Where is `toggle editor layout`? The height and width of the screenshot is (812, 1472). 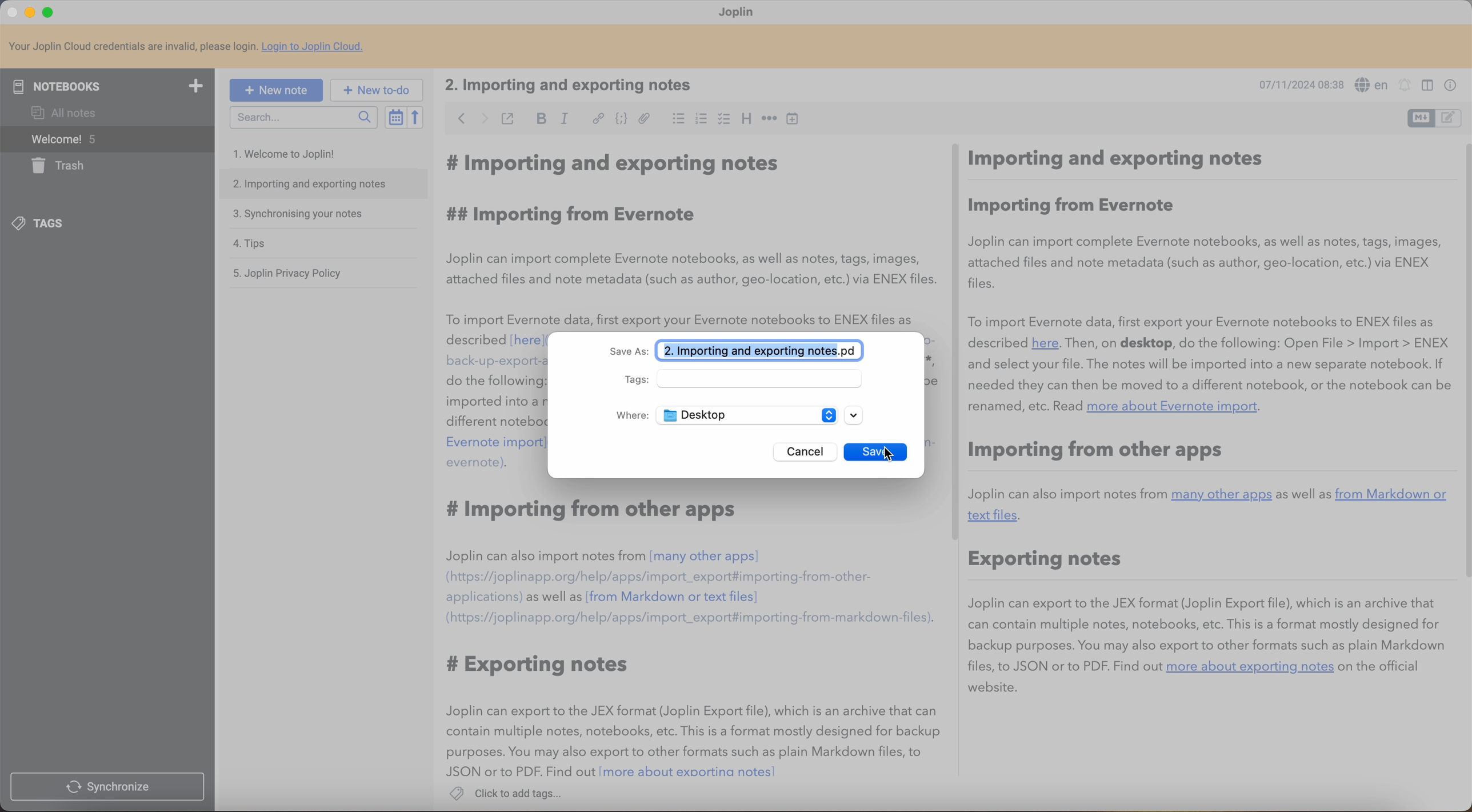 toggle editor layout is located at coordinates (1425, 86).